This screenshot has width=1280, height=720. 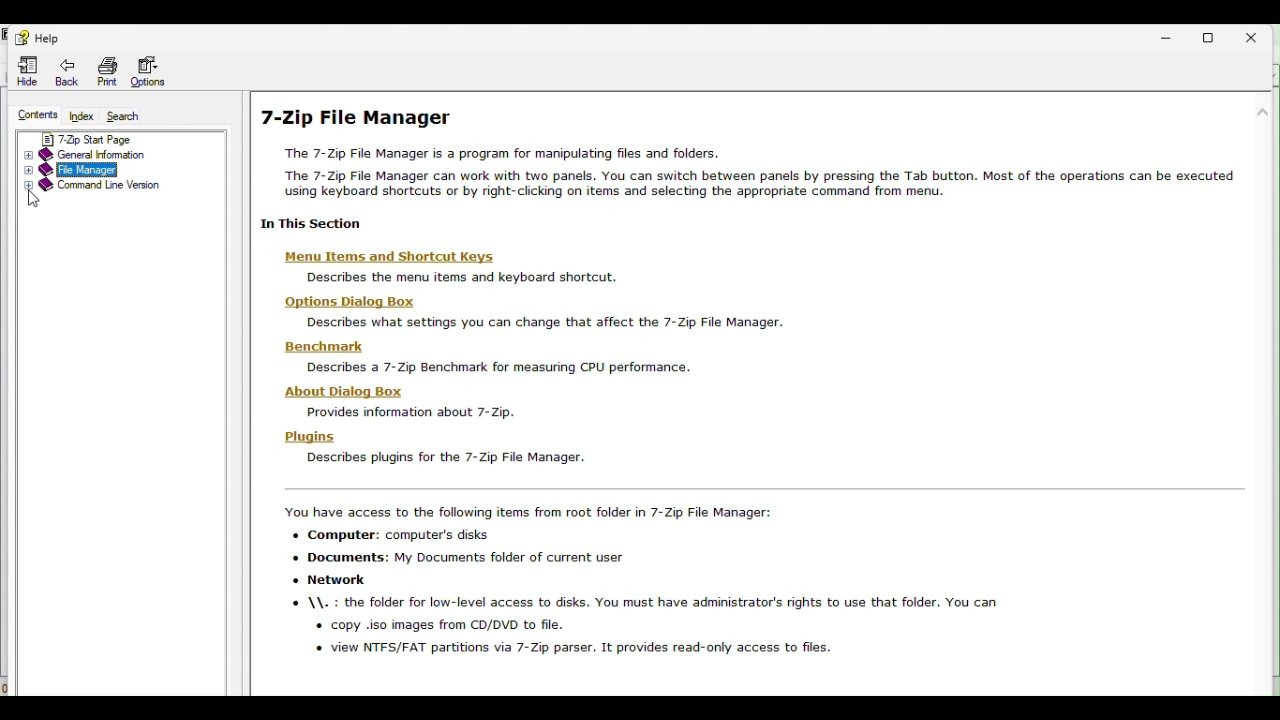 What do you see at coordinates (747, 147) in the screenshot?
I see `7 zip file manager help page` at bounding box center [747, 147].